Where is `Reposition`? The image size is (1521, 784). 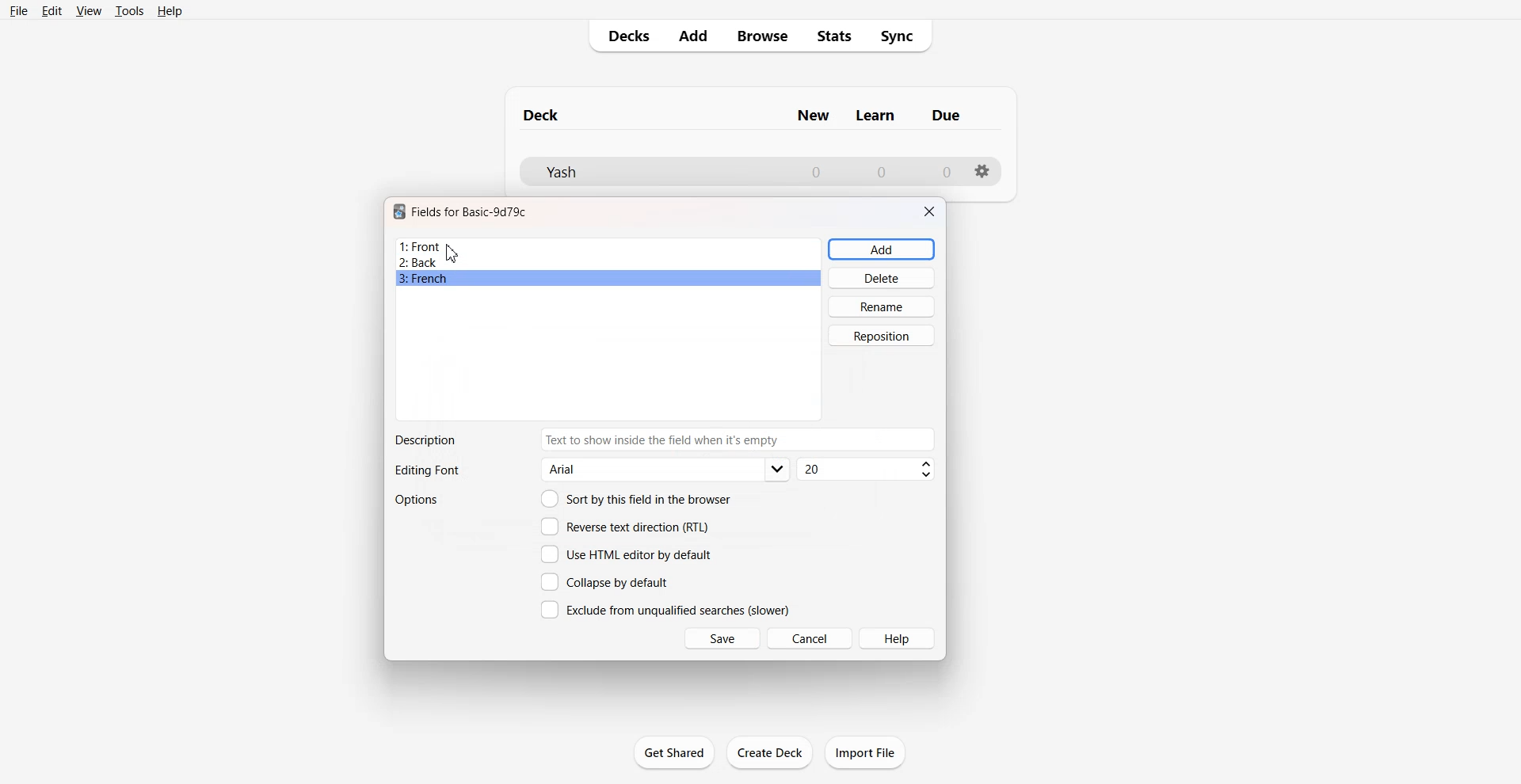 Reposition is located at coordinates (882, 336).